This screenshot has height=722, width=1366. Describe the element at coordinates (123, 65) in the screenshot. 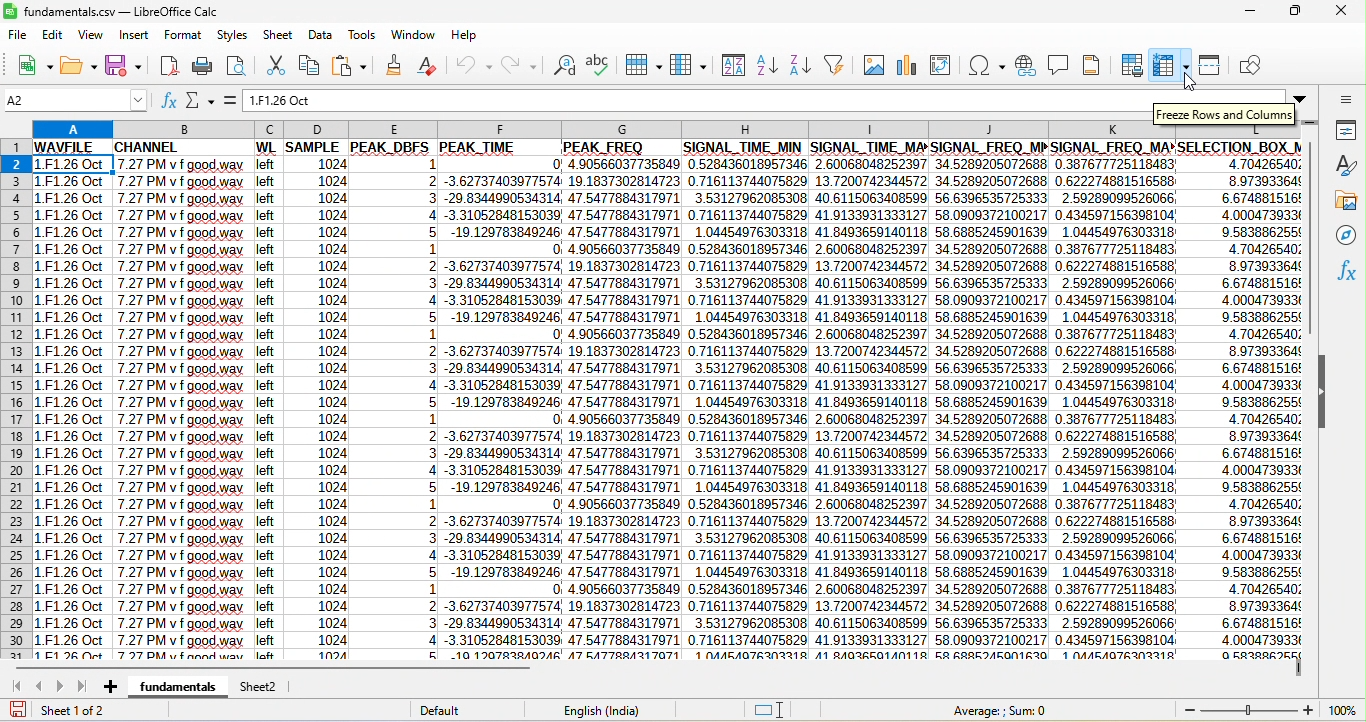

I see `save` at that location.